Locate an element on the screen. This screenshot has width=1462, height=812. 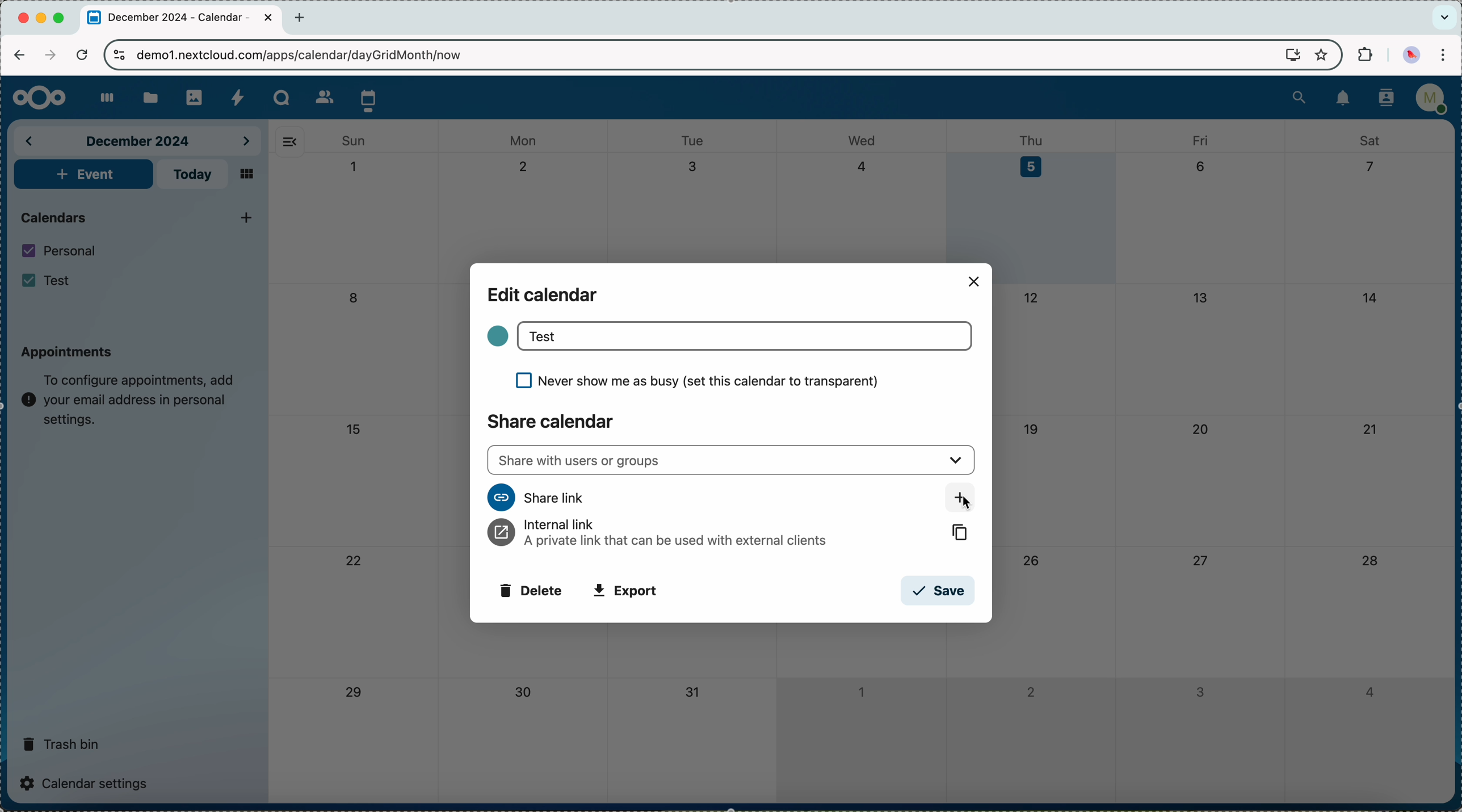
URL is located at coordinates (309, 54).